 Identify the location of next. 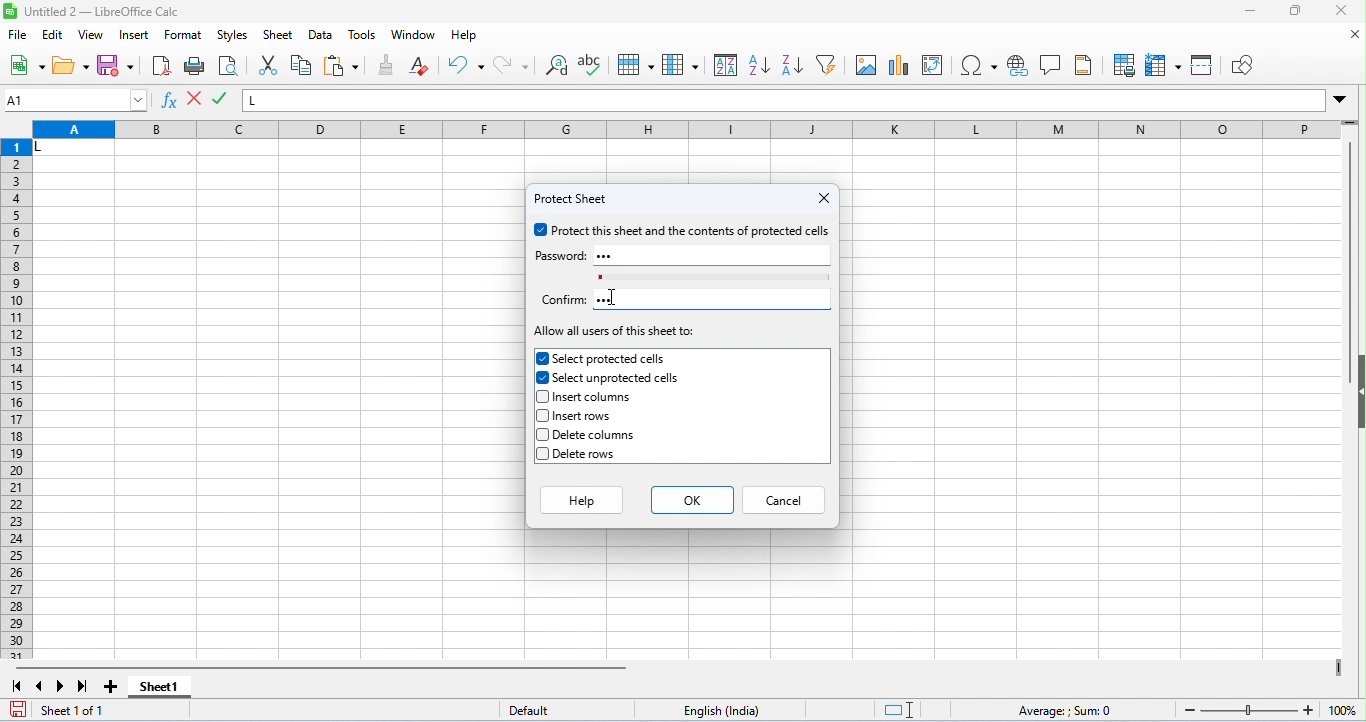
(61, 686).